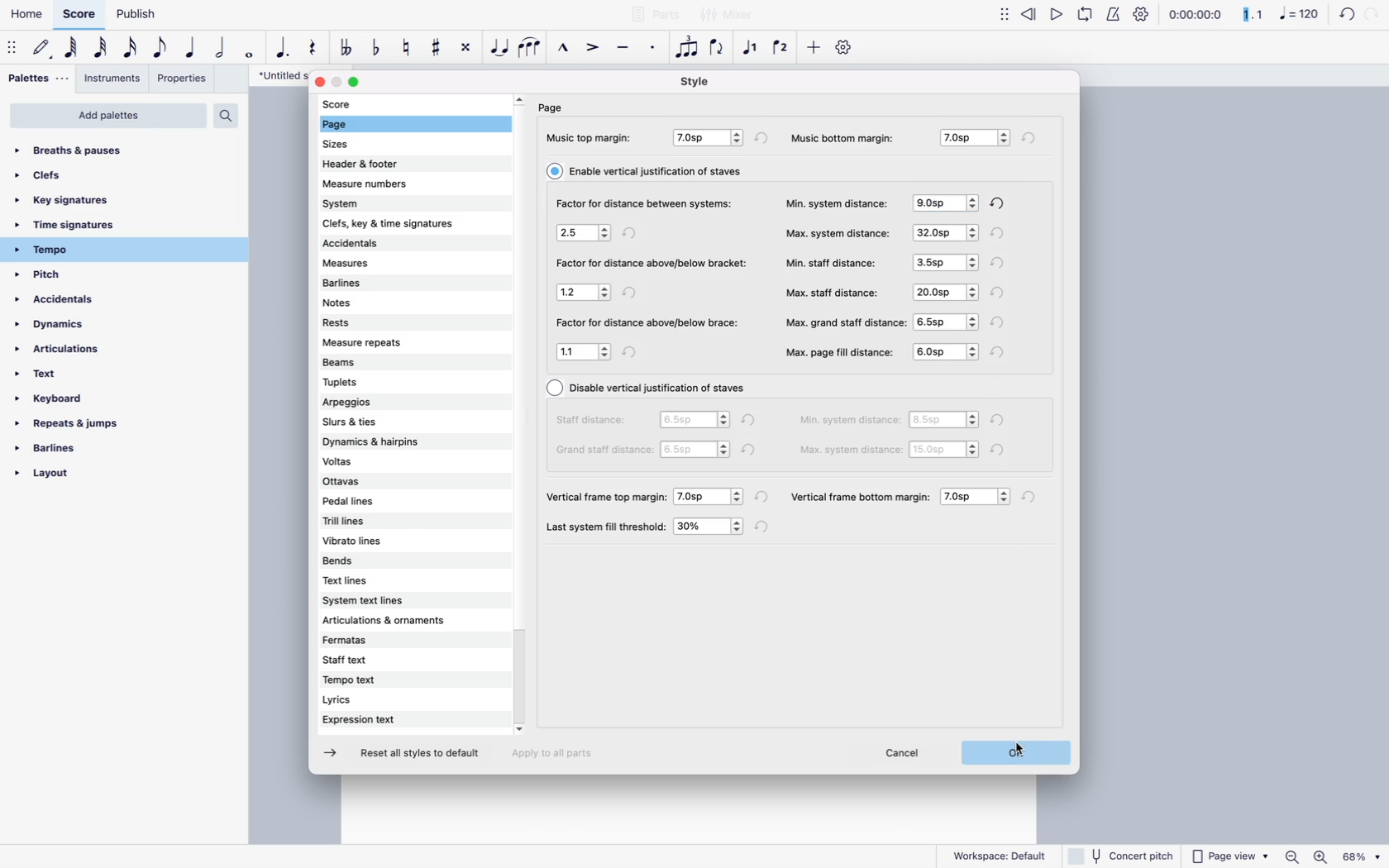  Describe the element at coordinates (945, 202) in the screenshot. I see `9.0sp` at that location.